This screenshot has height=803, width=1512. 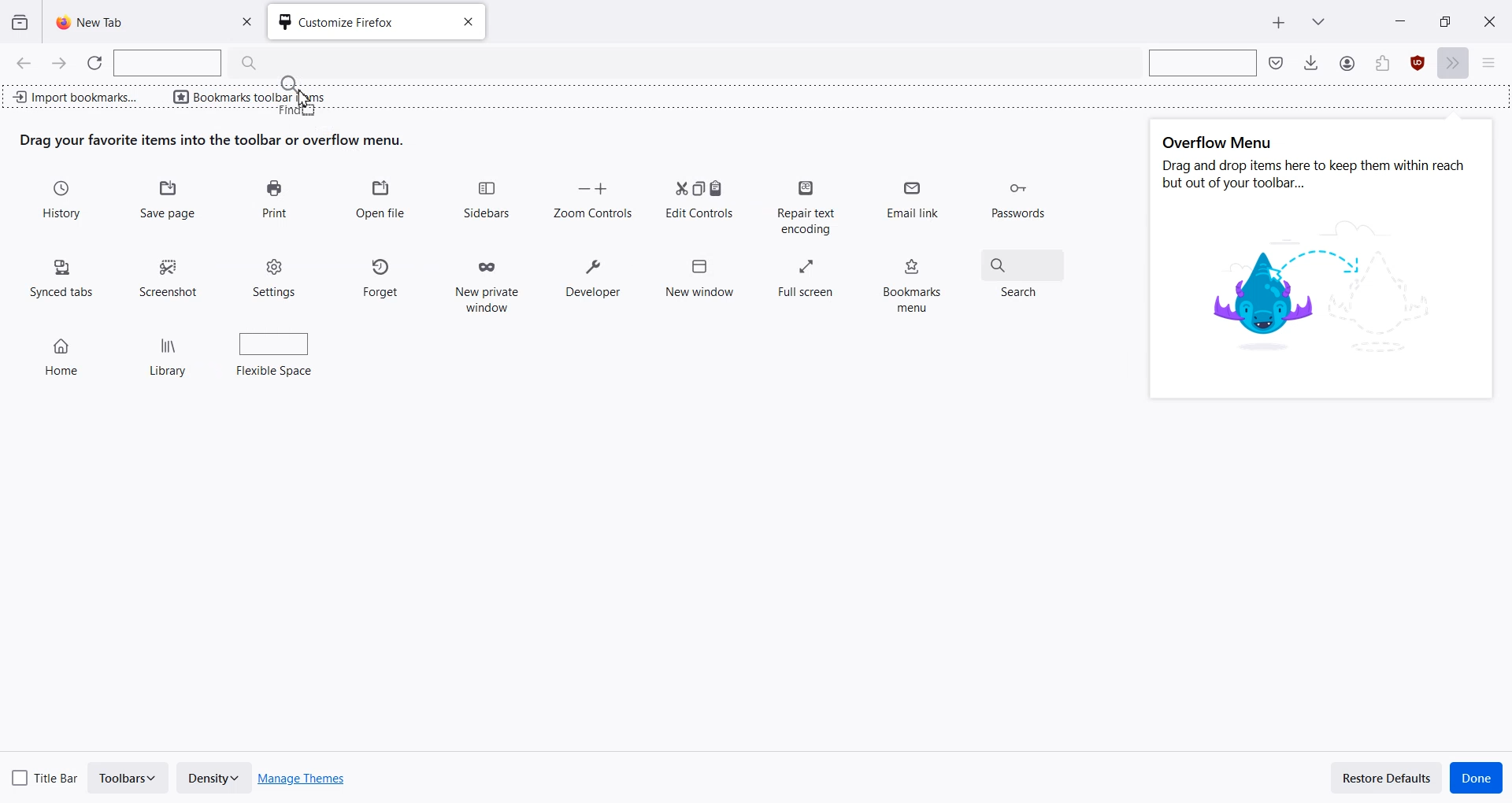 I want to click on Home, so click(x=65, y=350).